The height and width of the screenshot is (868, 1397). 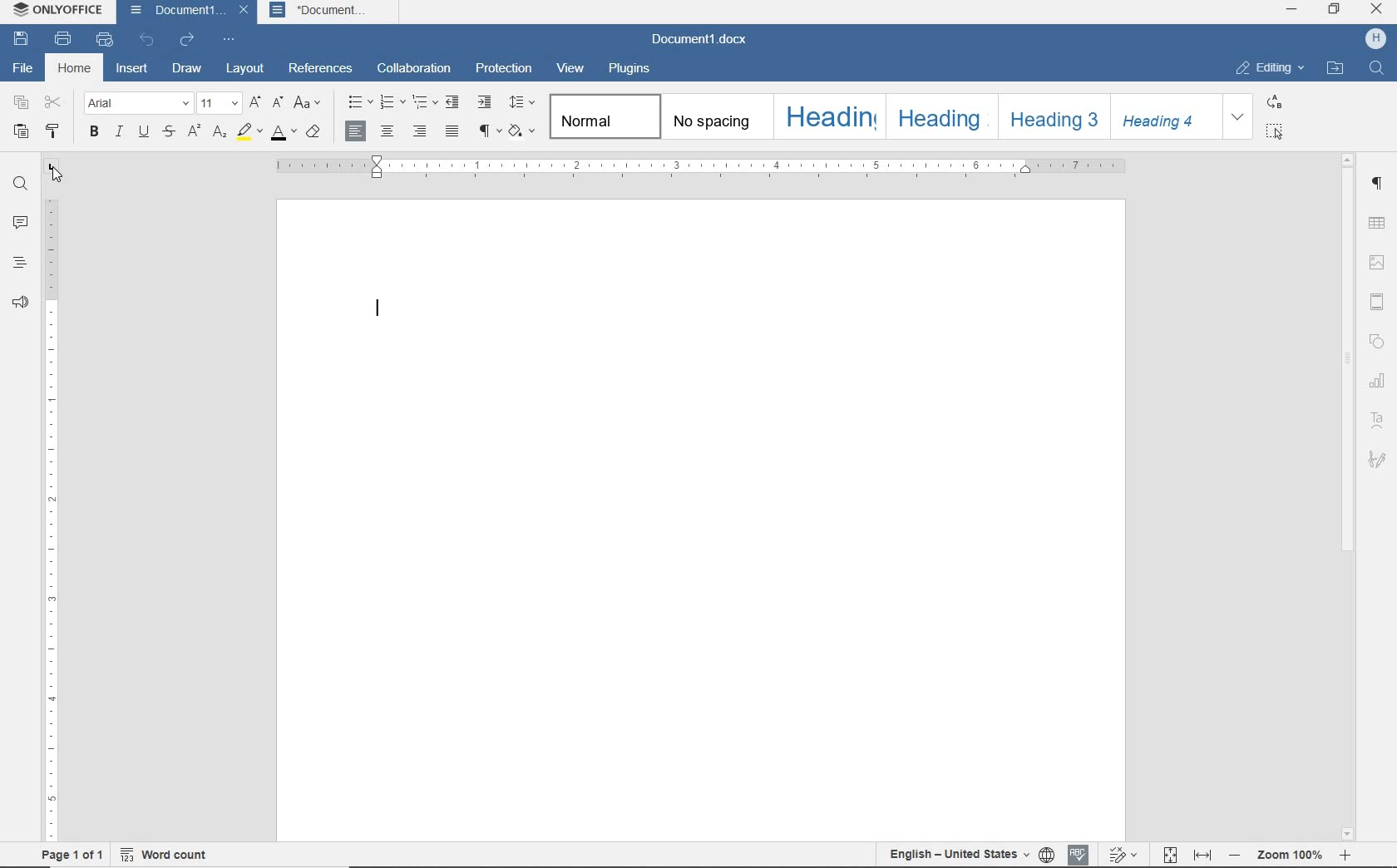 What do you see at coordinates (59, 12) in the screenshot?
I see `SYSTEM NAME` at bounding box center [59, 12].